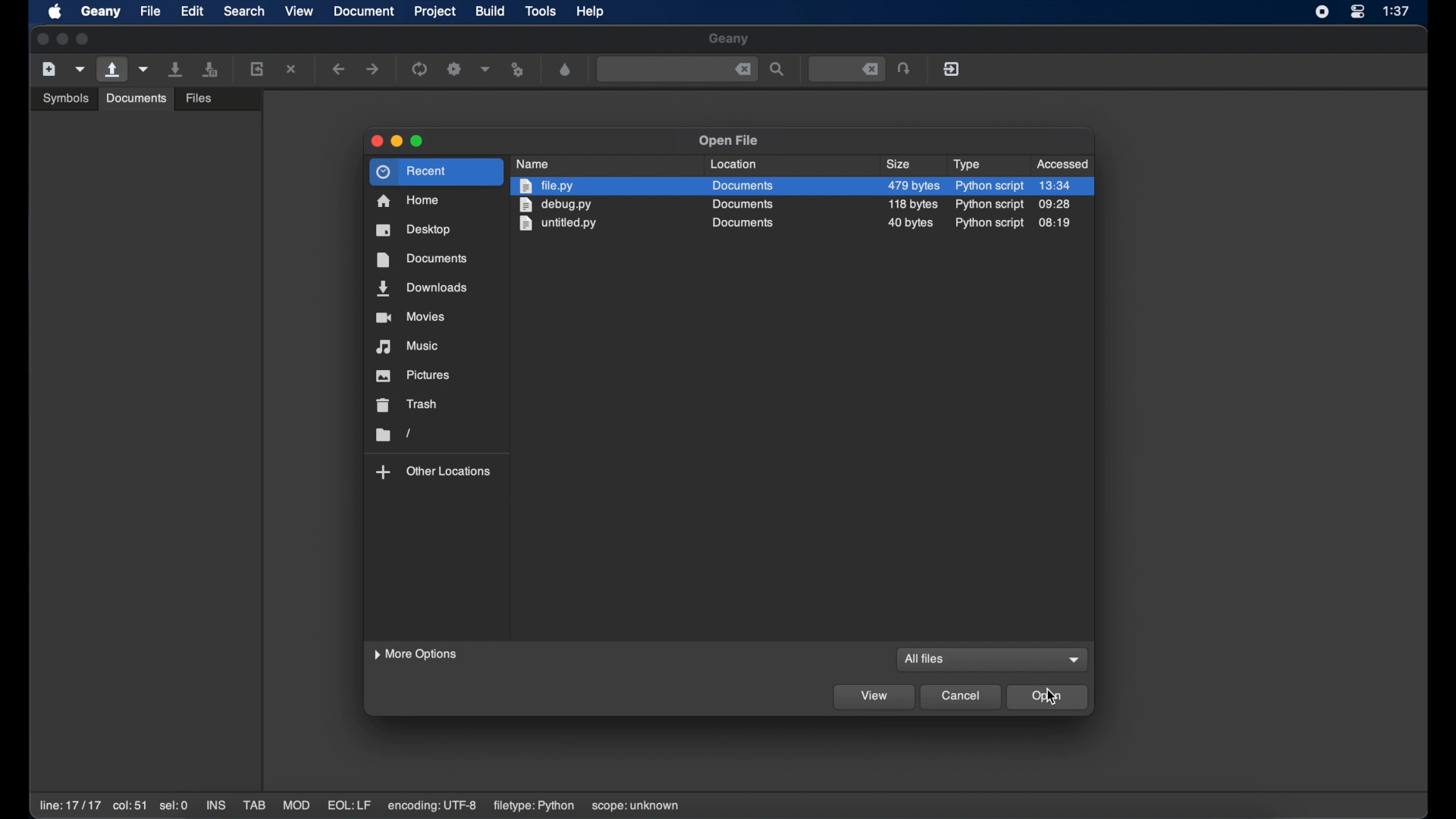 Image resolution: width=1456 pixels, height=819 pixels. What do you see at coordinates (244, 11) in the screenshot?
I see `search` at bounding box center [244, 11].